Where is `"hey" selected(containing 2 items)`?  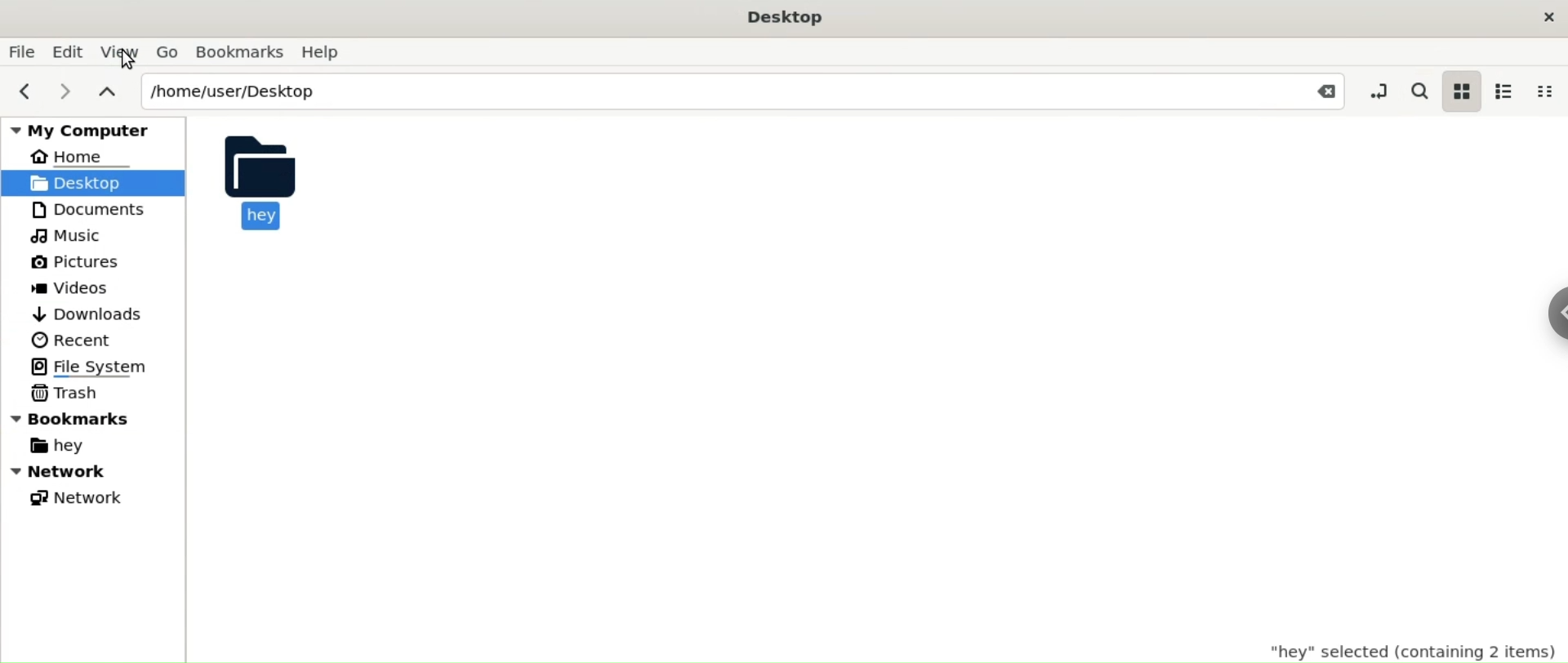
"hey" selected(containing 2 items) is located at coordinates (1413, 646).